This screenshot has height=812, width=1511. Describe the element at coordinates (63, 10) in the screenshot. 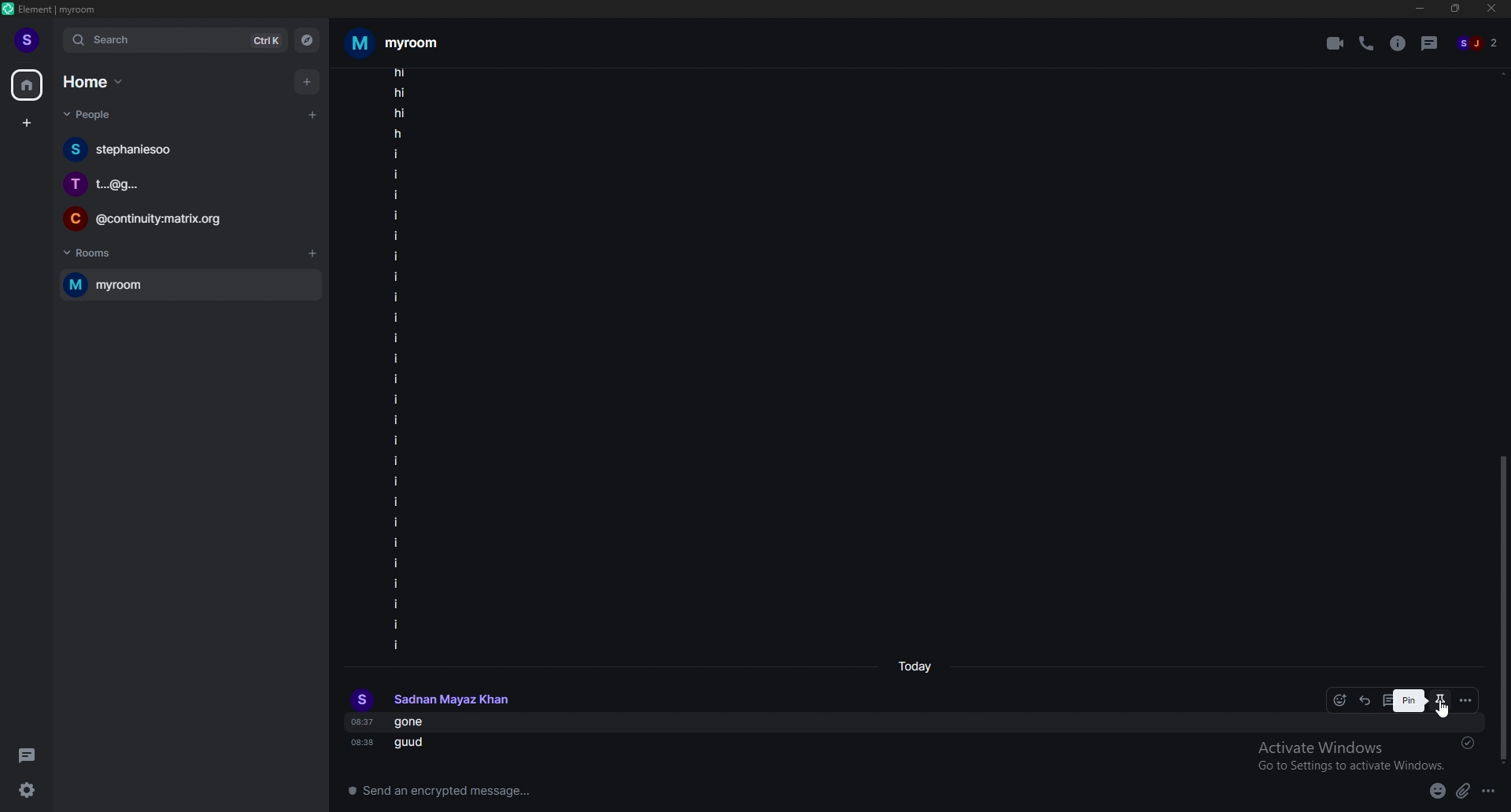

I see `title` at that location.